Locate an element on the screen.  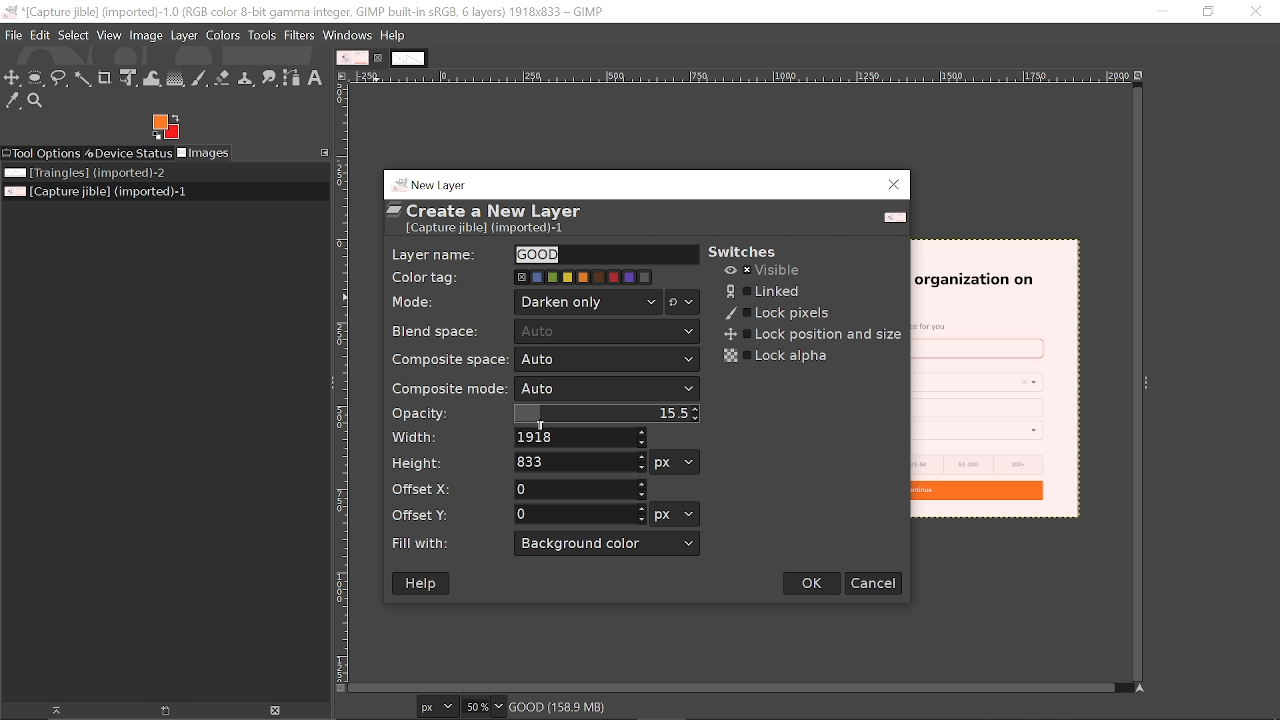
Select is located at coordinates (73, 36).